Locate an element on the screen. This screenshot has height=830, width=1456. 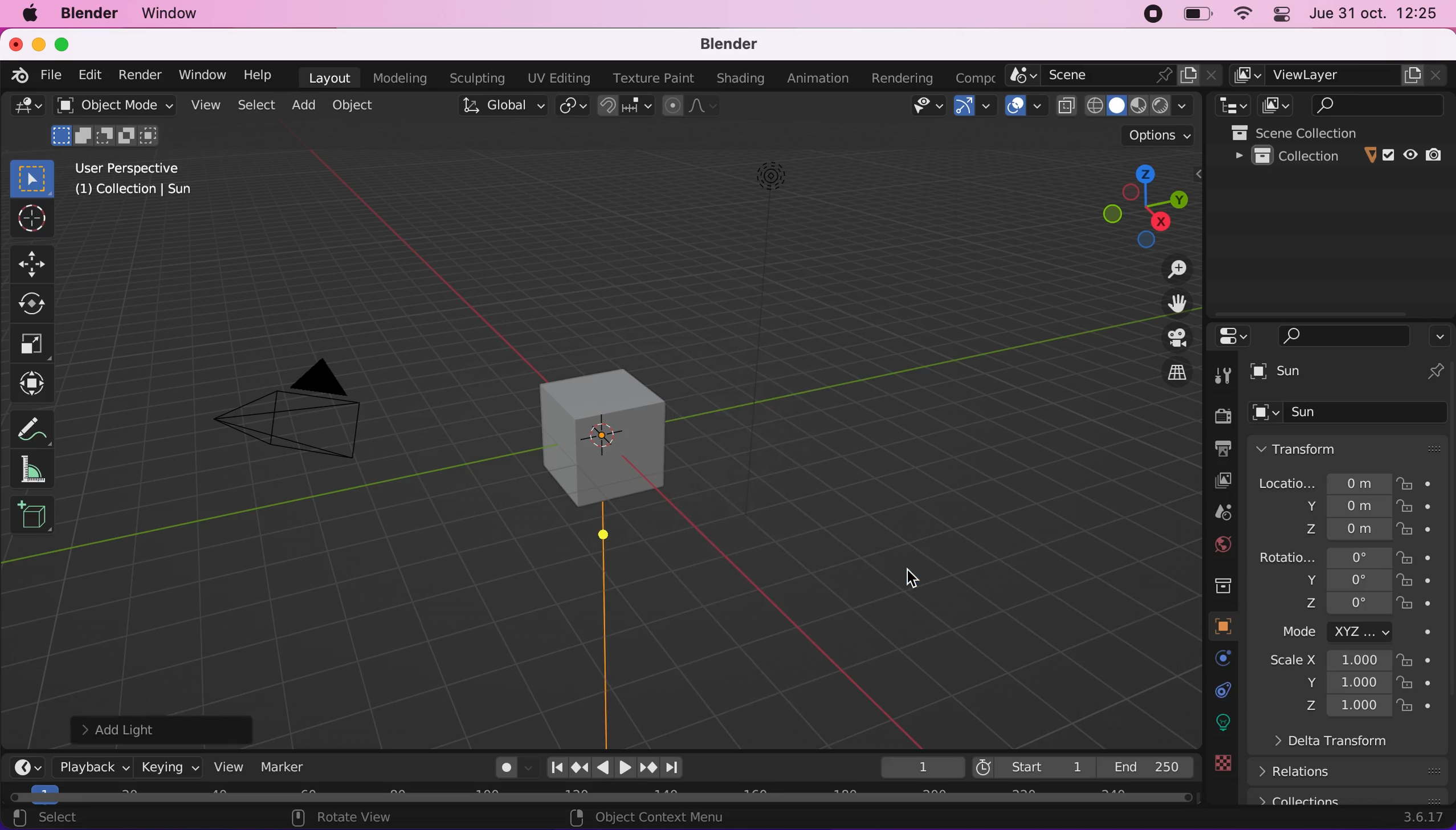
battery is located at coordinates (1194, 15).